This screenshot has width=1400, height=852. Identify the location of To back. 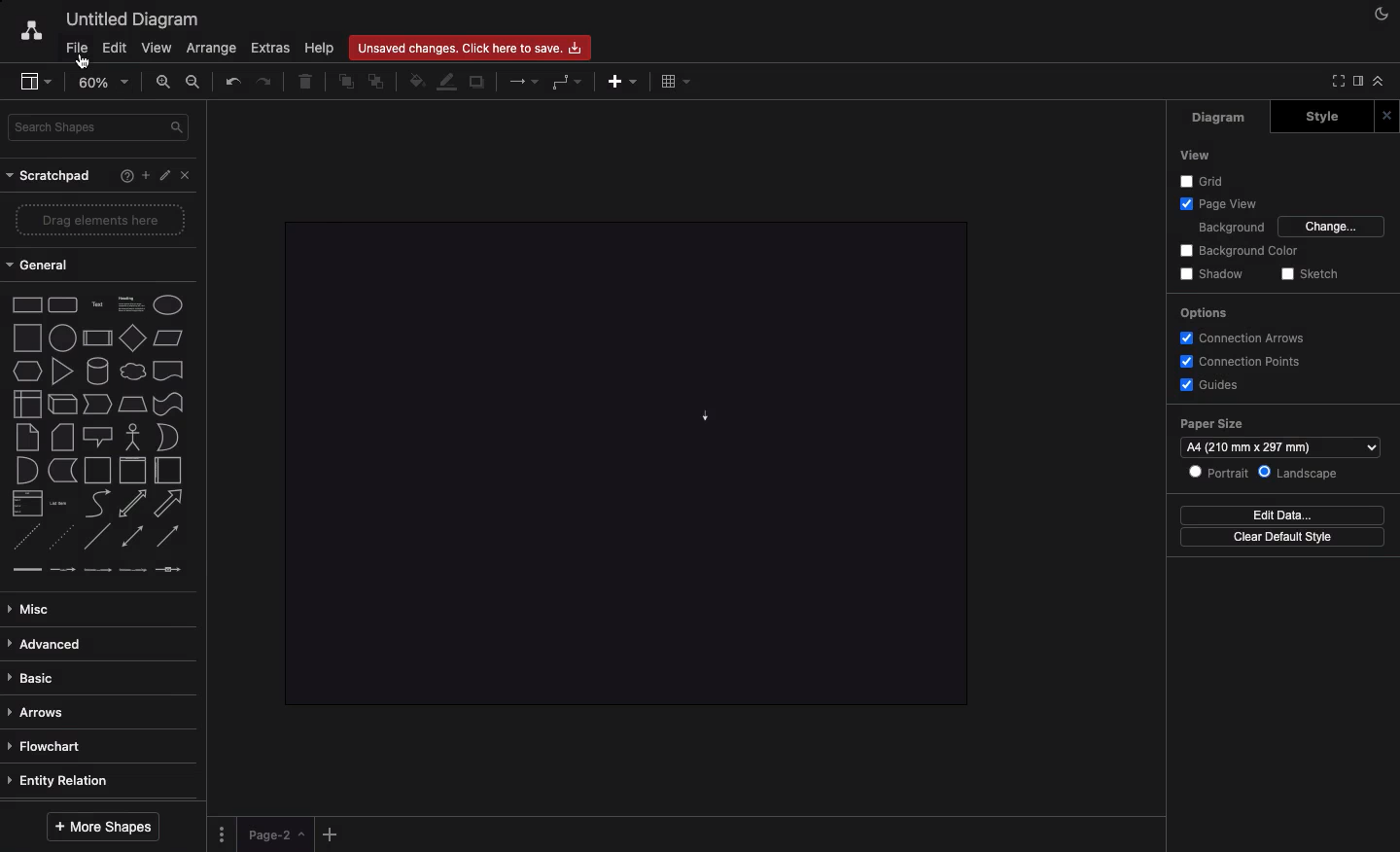
(378, 81).